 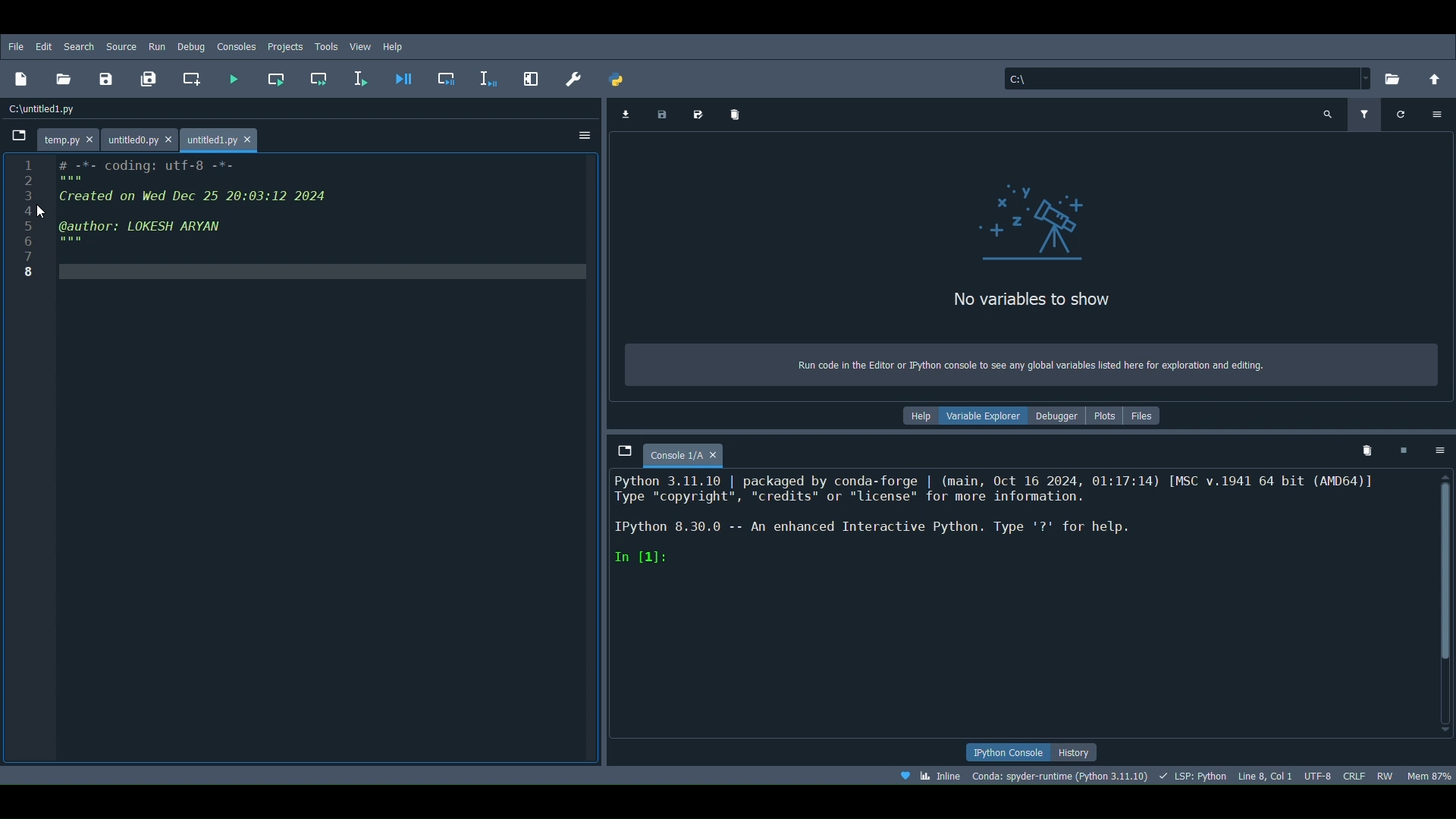 What do you see at coordinates (67, 78) in the screenshot?
I see `Open file (Ctrl + O)` at bounding box center [67, 78].